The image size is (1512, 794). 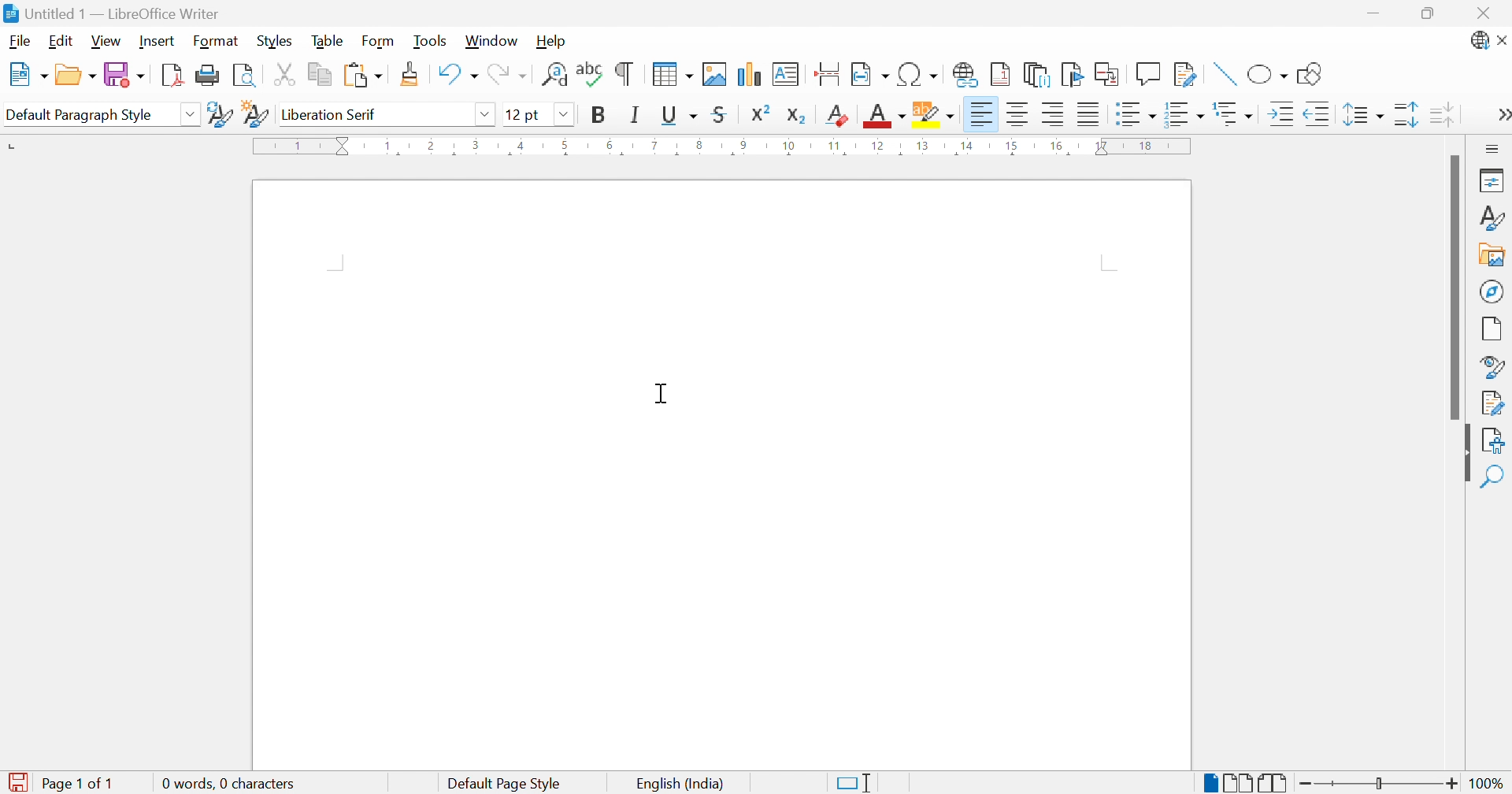 What do you see at coordinates (485, 113) in the screenshot?
I see `Drop down` at bounding box center [485, 113].